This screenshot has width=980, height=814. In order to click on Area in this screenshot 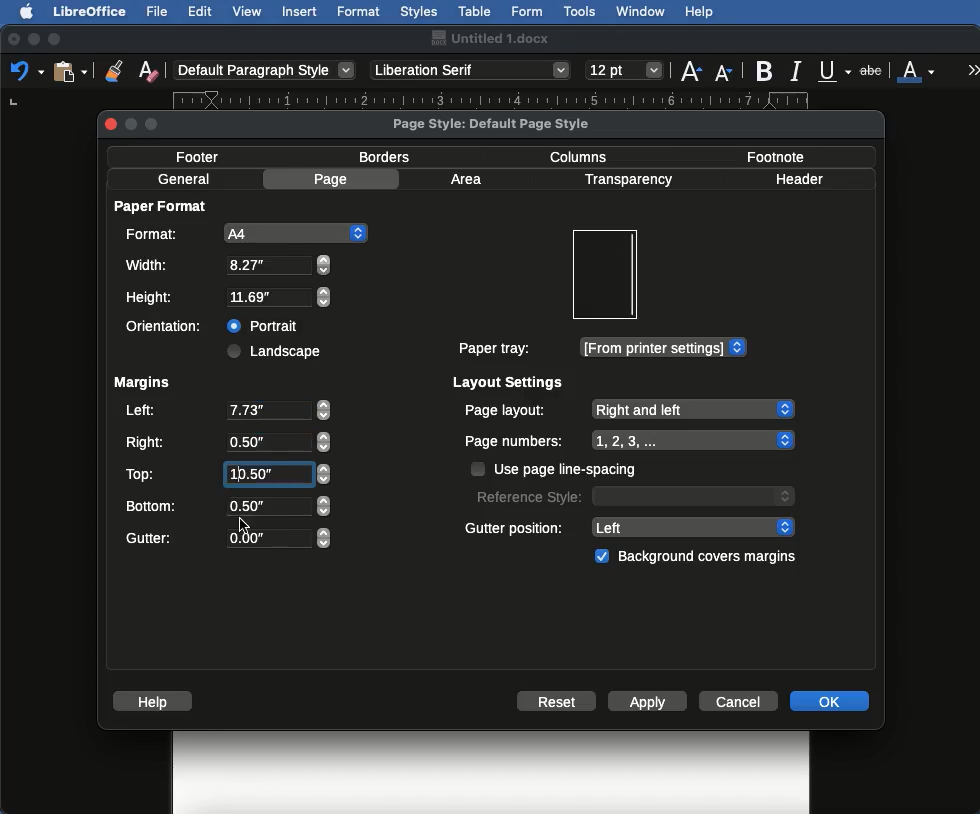, I will do `click(469, 179)`.